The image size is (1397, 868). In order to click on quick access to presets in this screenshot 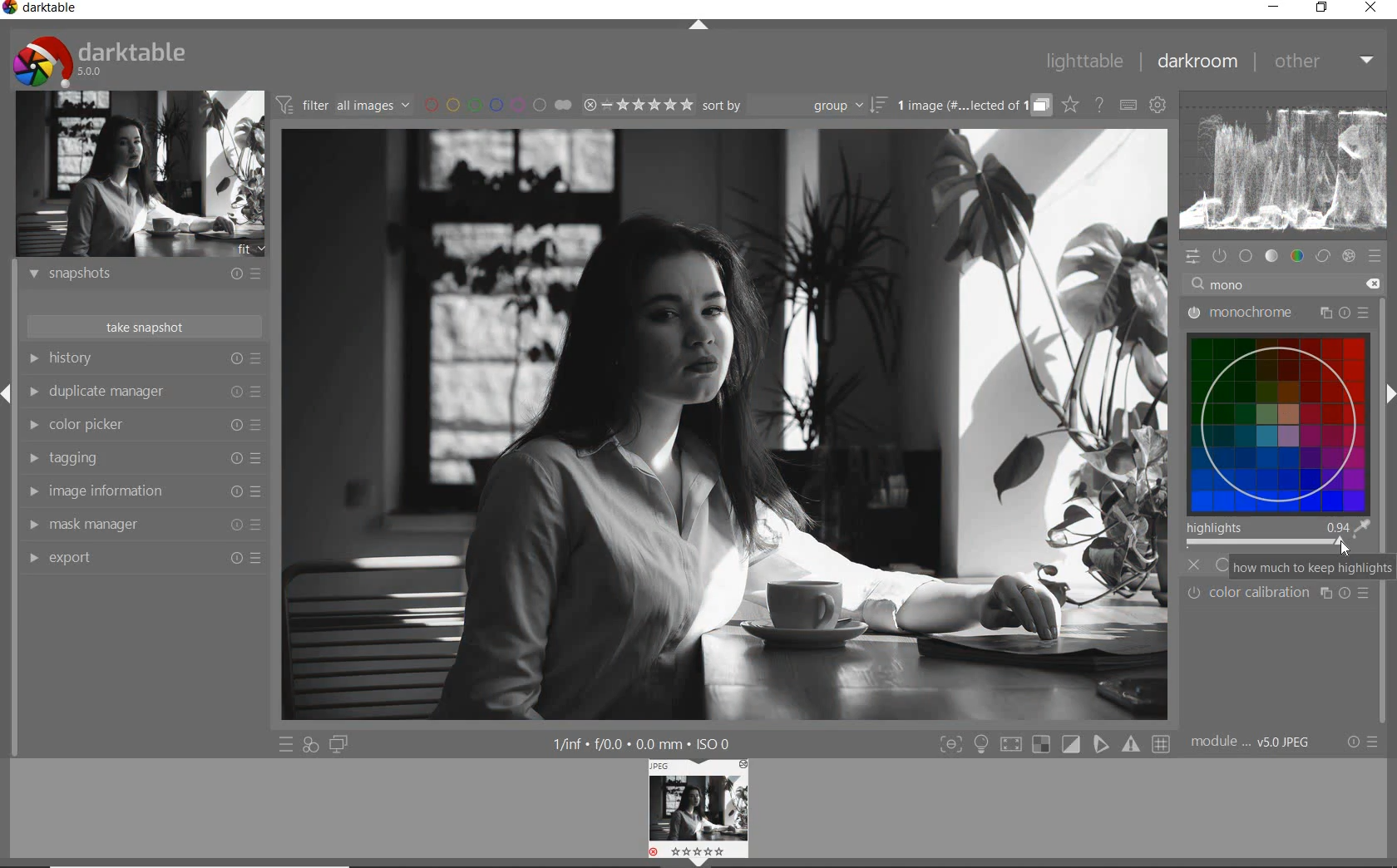, I will do `click(286, 744)`.